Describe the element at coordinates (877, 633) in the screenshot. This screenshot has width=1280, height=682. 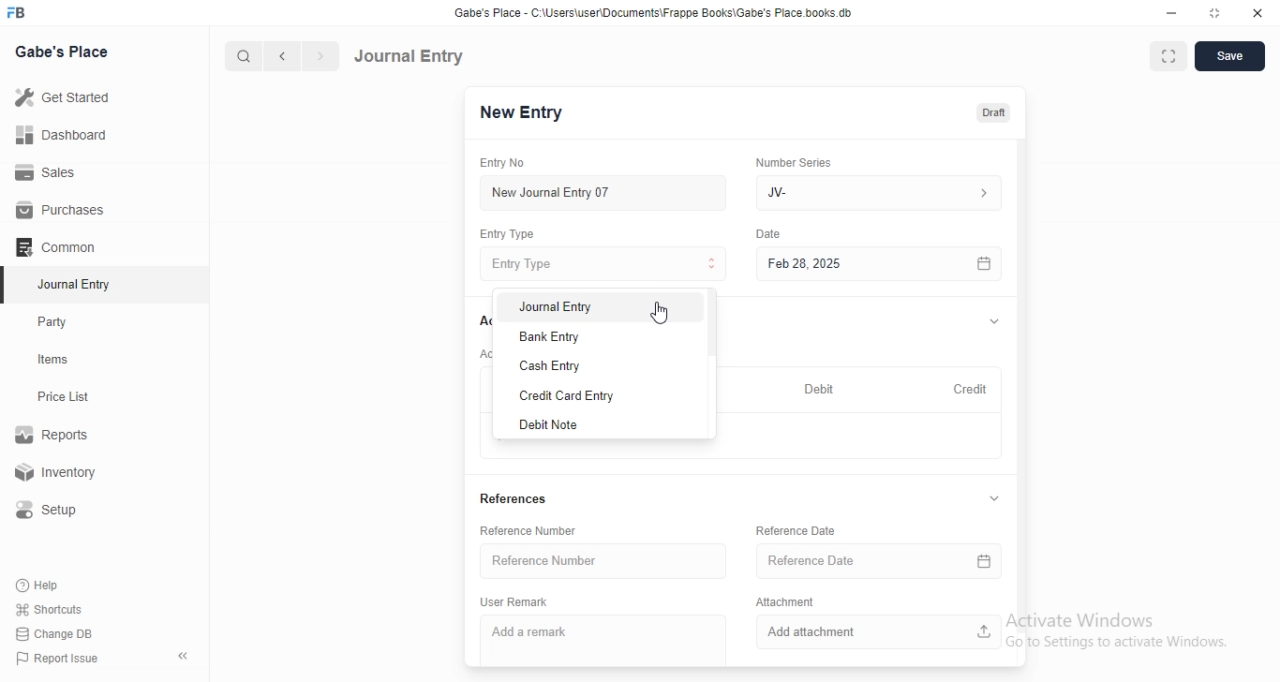
I see `Add attachment` at that location.